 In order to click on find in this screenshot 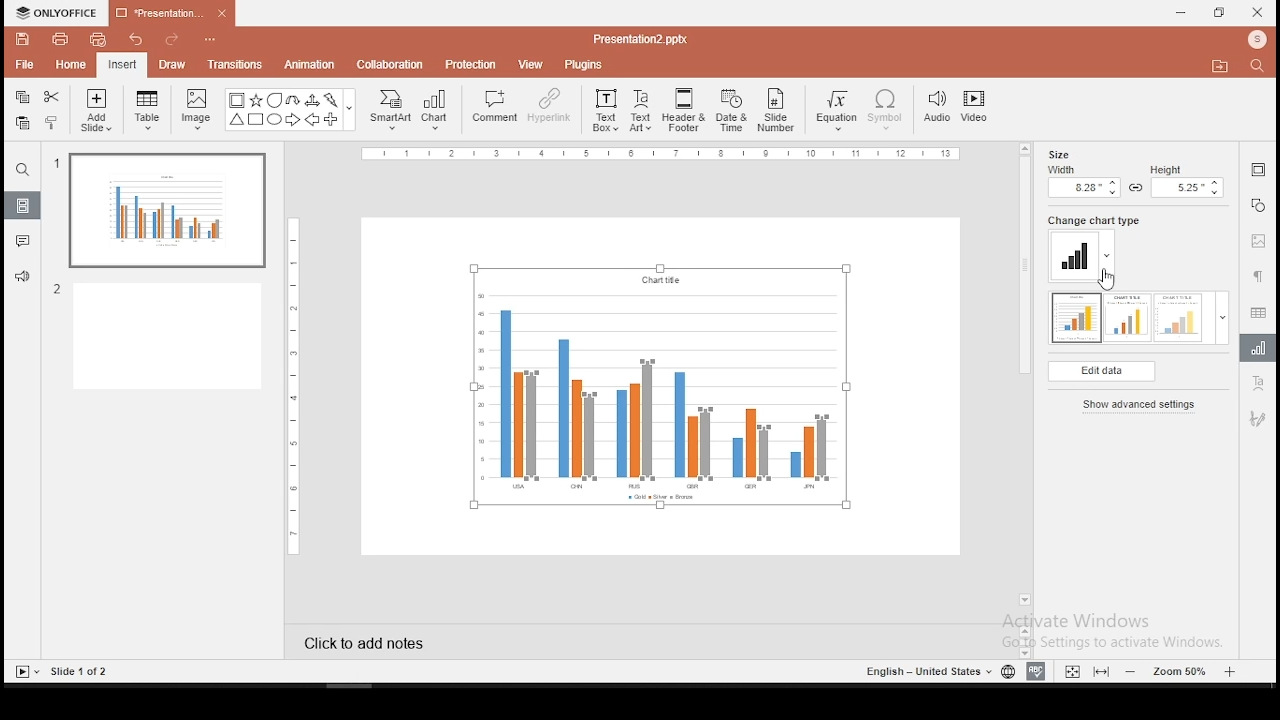, I will do `click(23, 169)`.